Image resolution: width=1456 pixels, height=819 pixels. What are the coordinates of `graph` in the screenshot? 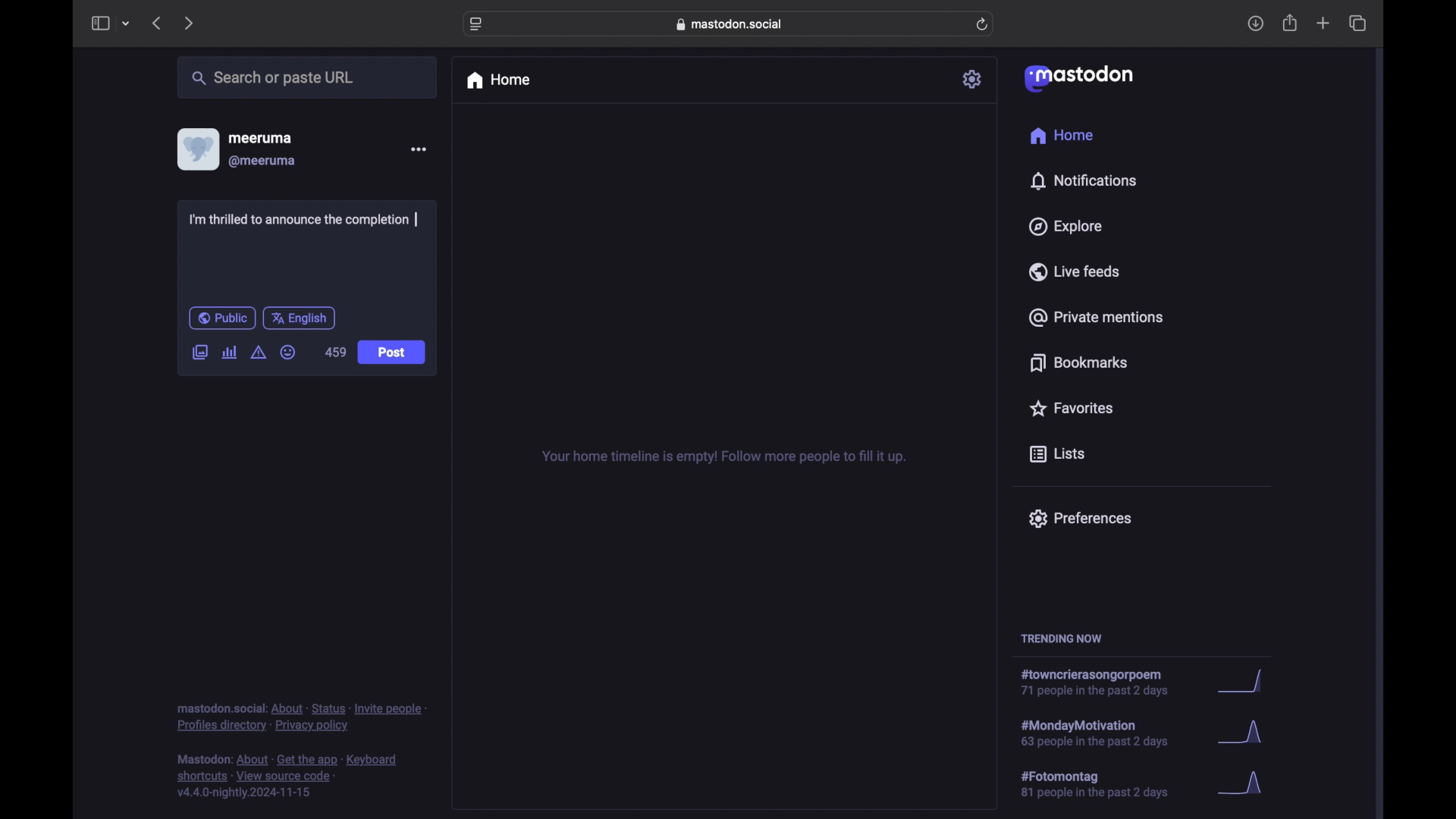 It's located at (1244, 734).